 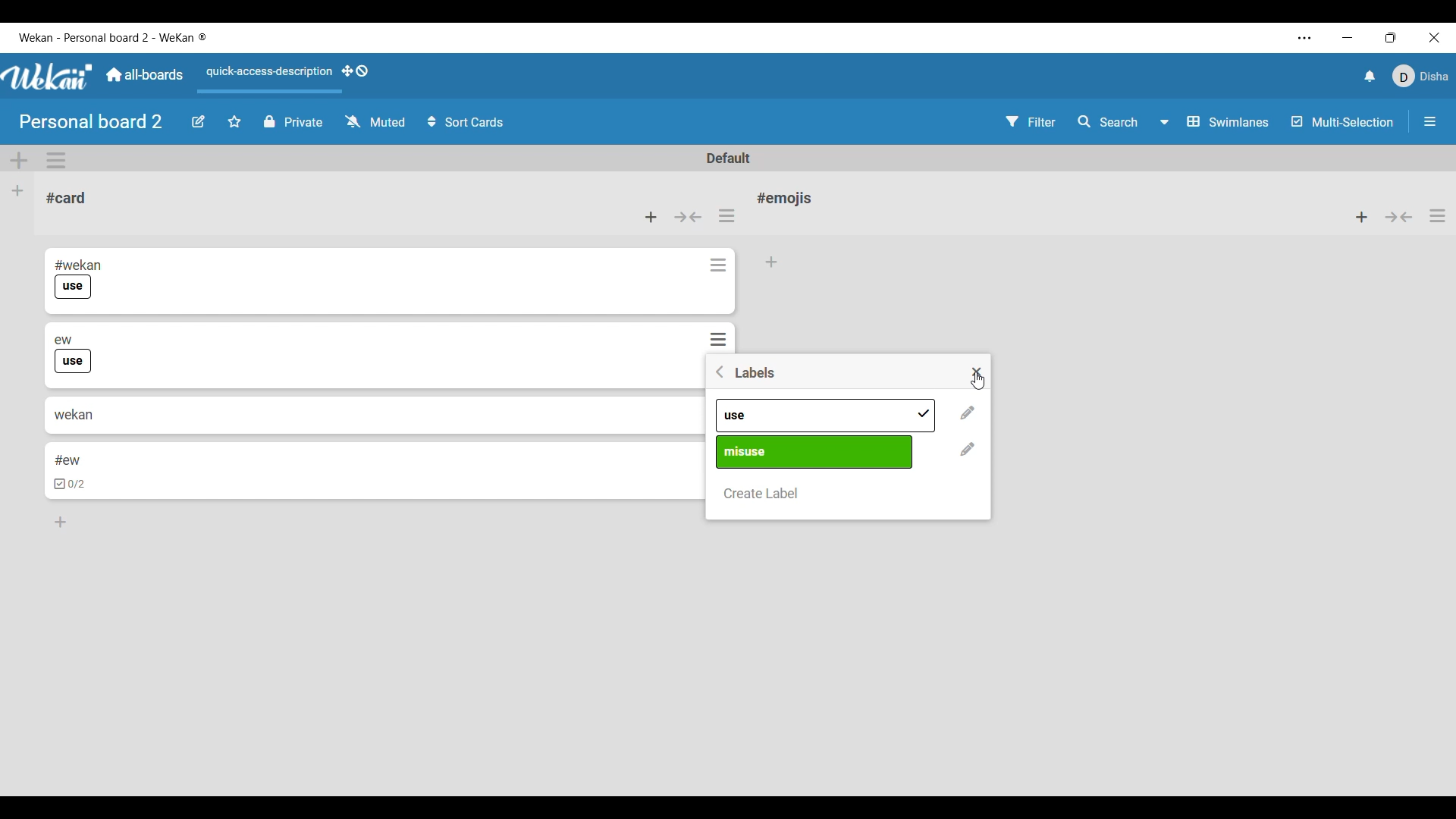 What do you see at coordinates (718, 372) in the screenshot?
I see `Go back` at bounding box center [718, 372].